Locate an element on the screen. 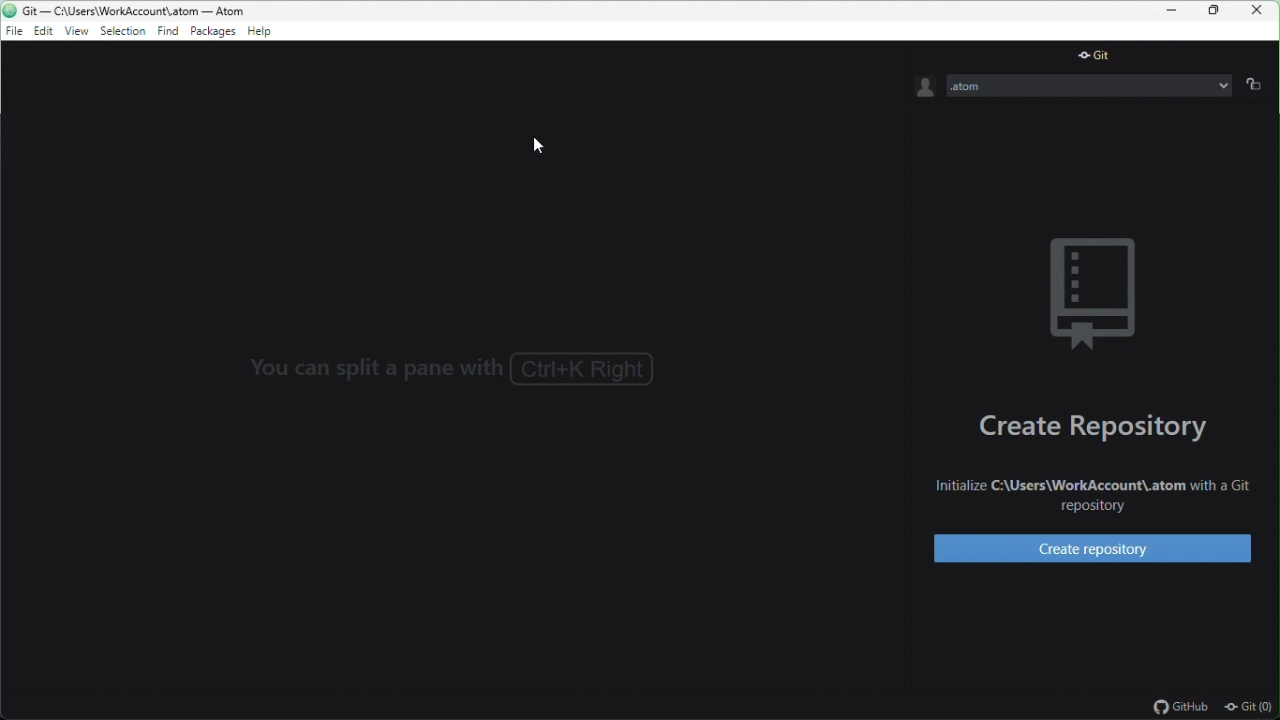 The width and height of the screenshot is (1280, 720). view is located at coordinates (79, 32).